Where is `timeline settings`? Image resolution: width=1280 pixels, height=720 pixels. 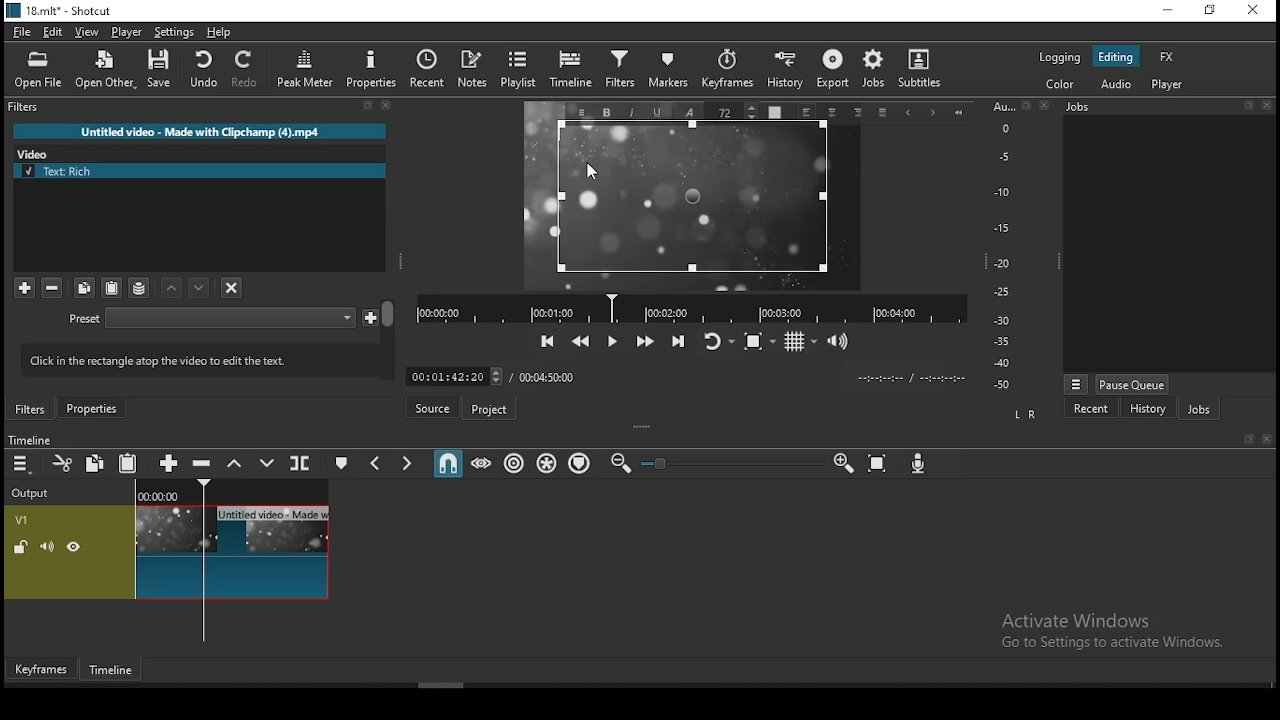
timeline settings is located at coordinates (22, 462).